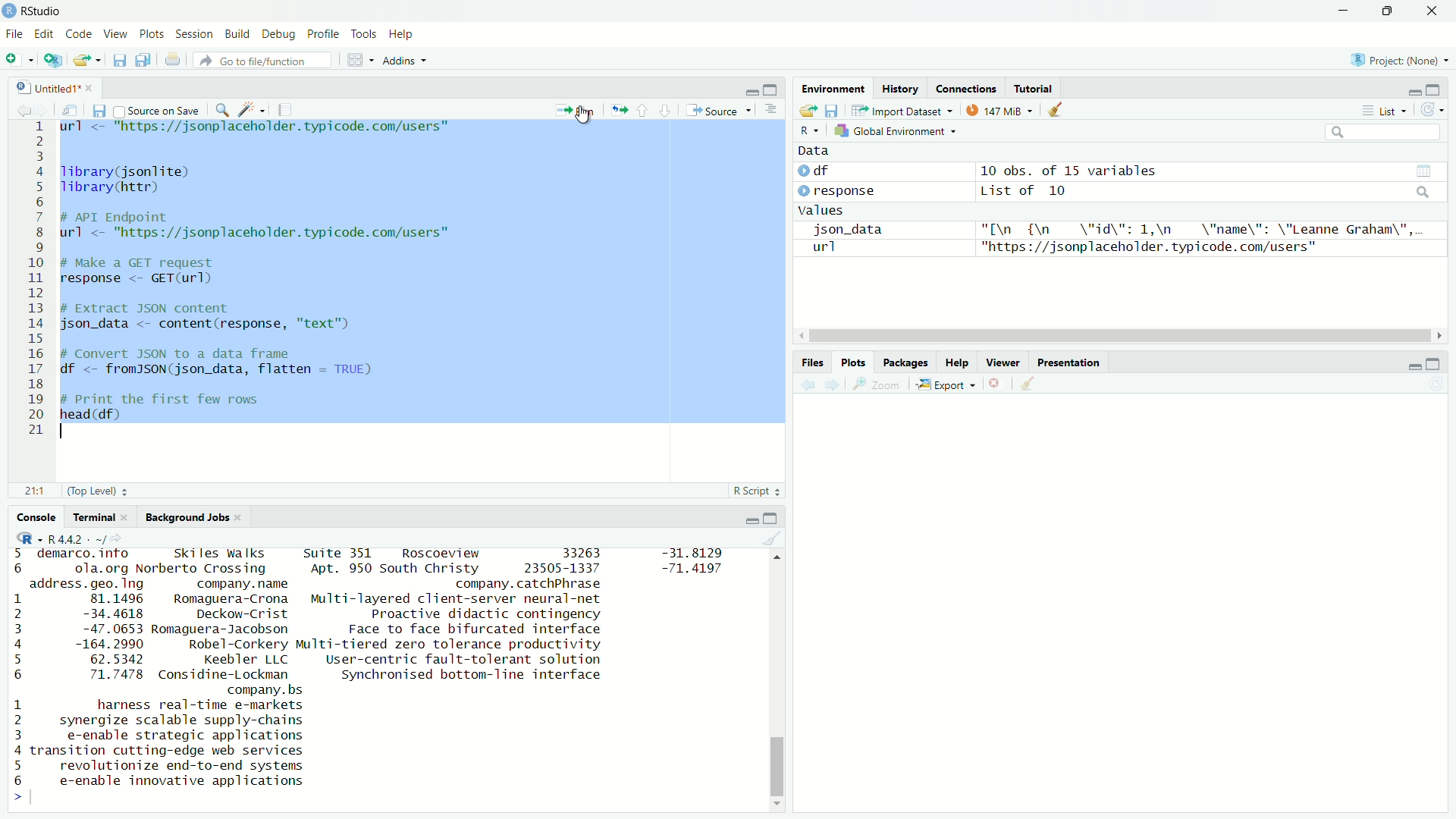  What do you see at coordinates (771, 90) in the screenshot?
I see `Maximize` at bounding box center [771, 90].